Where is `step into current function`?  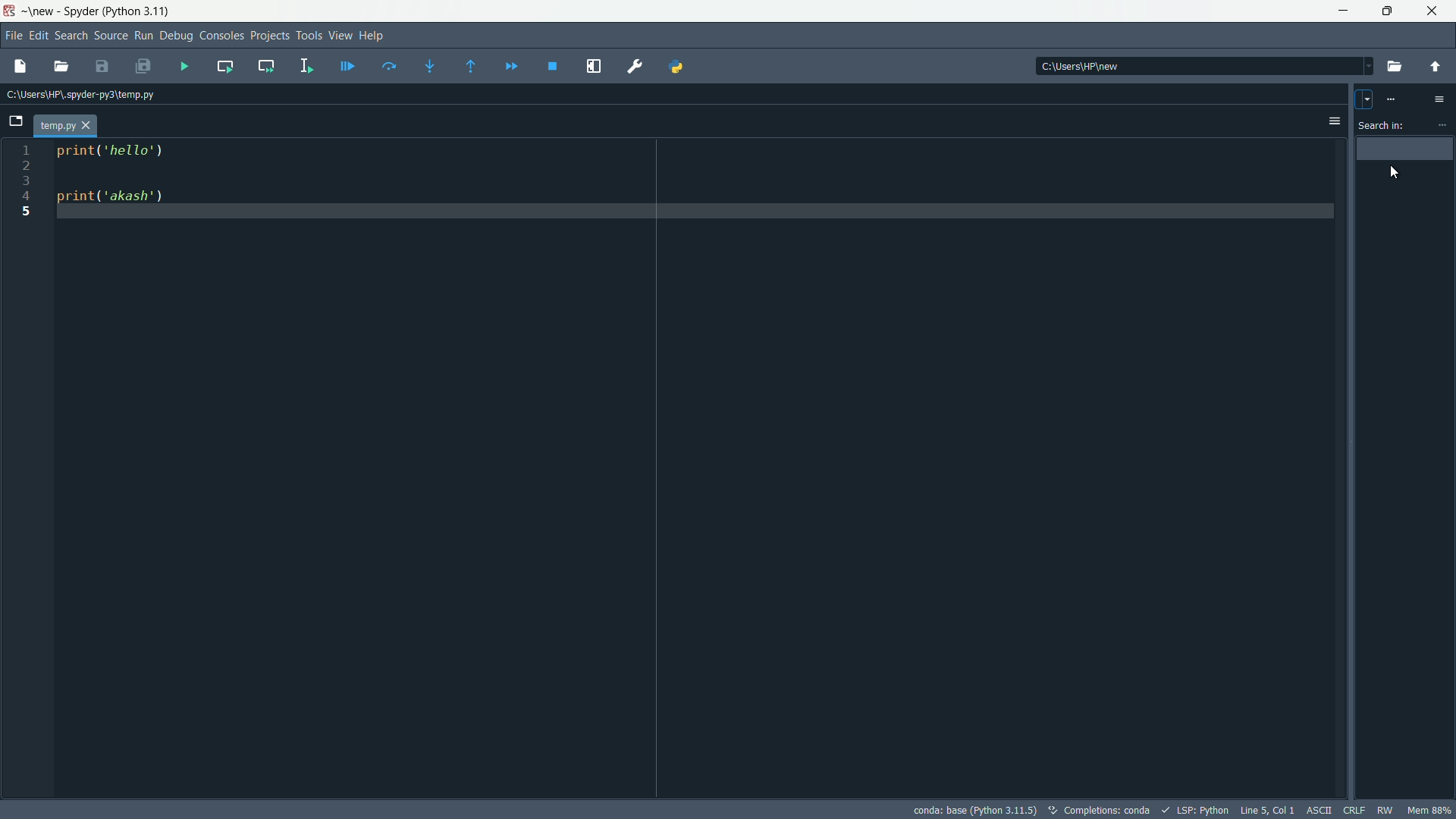
step into current function is located at coordinates (430, 67).